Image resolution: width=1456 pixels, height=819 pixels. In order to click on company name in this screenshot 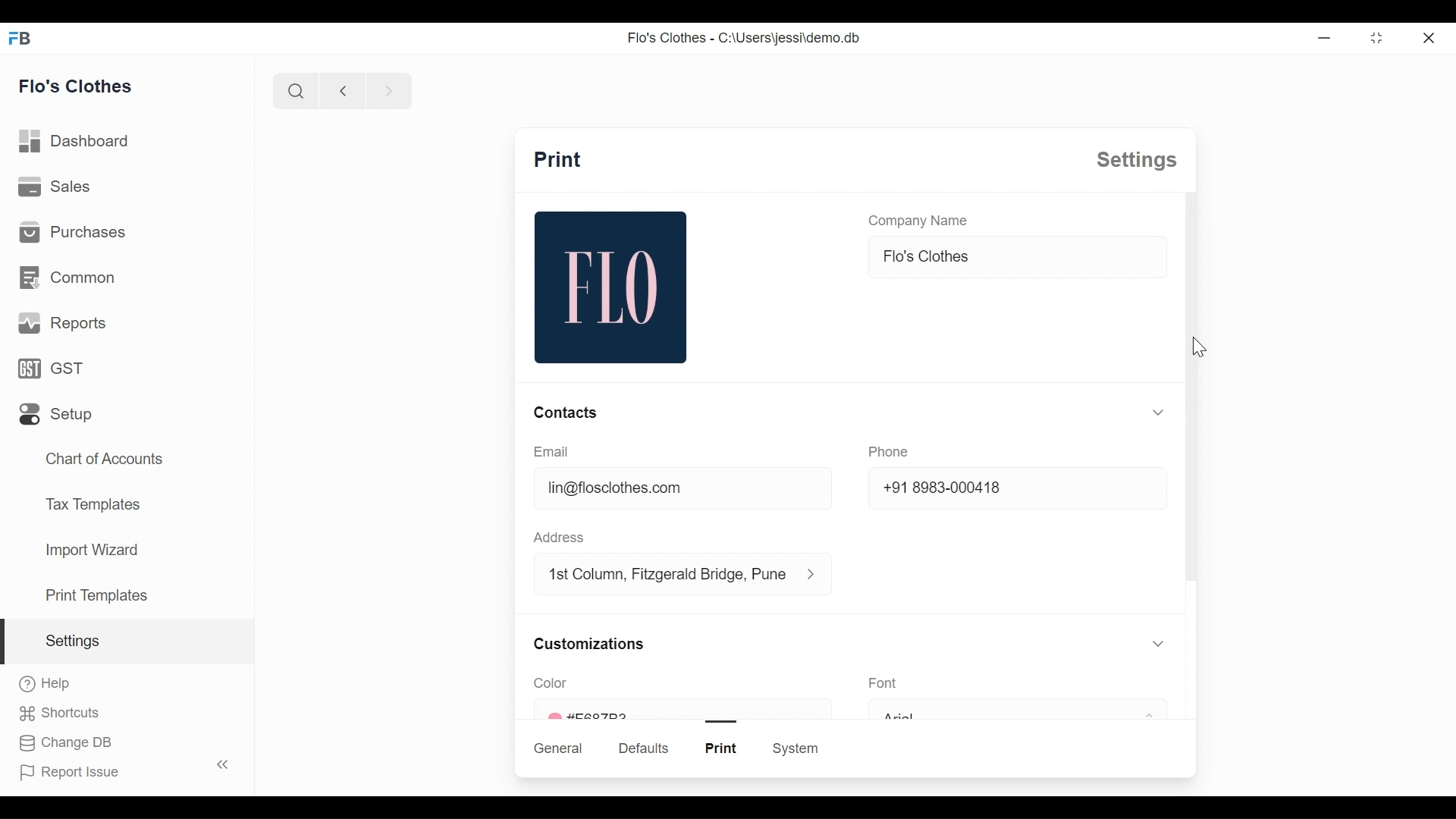, I will do `click(918, 221)`.